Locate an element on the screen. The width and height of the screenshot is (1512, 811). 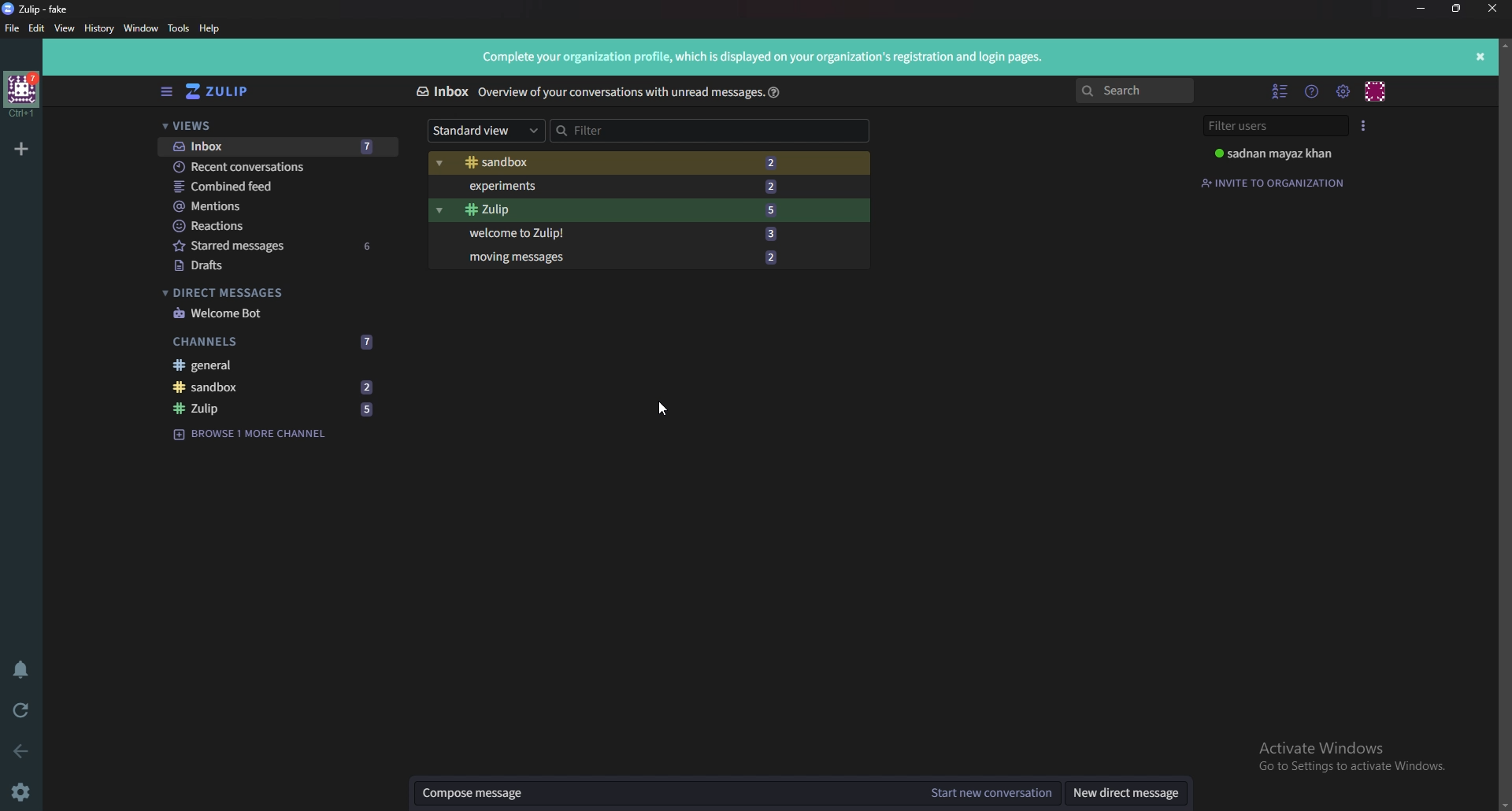
back is located at coordinates (24, 753).